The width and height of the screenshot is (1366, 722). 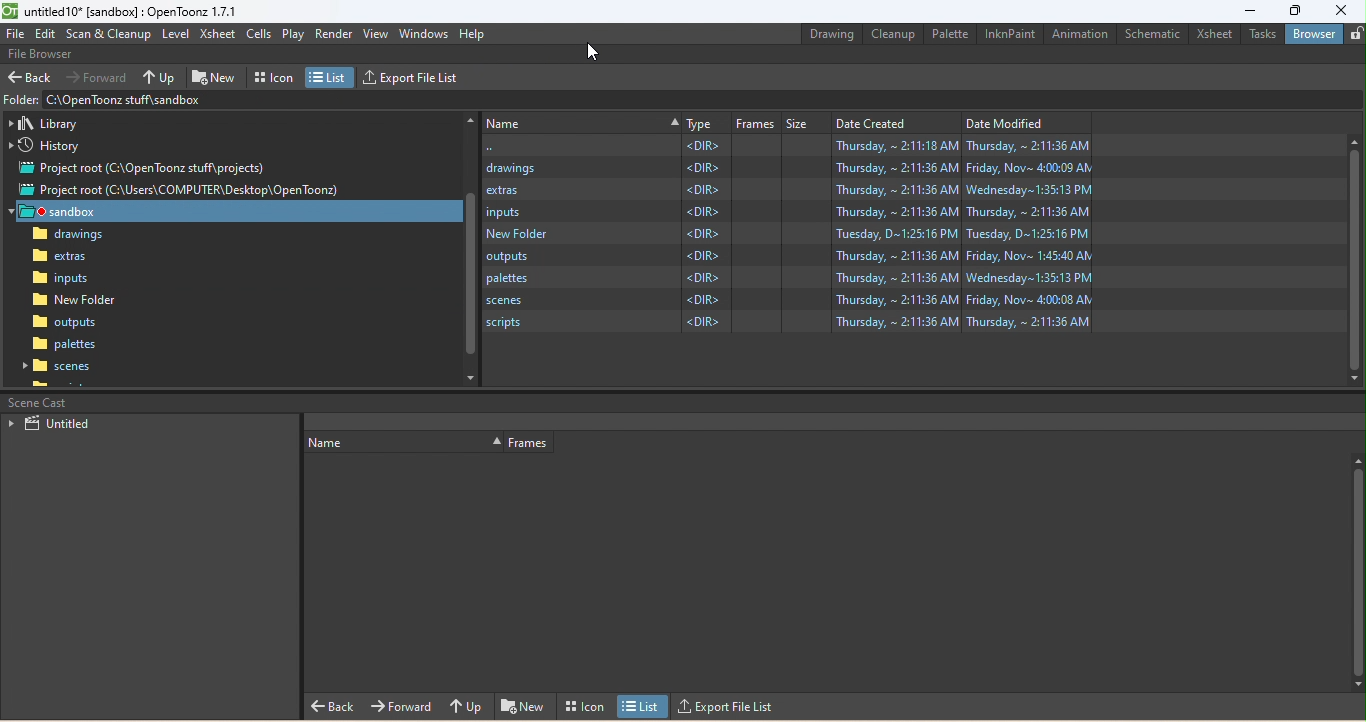 What do you see at coordinates (107, 33) in the screenshot?
I see `Scan & Cleanup` at bounding box center [107, 33].